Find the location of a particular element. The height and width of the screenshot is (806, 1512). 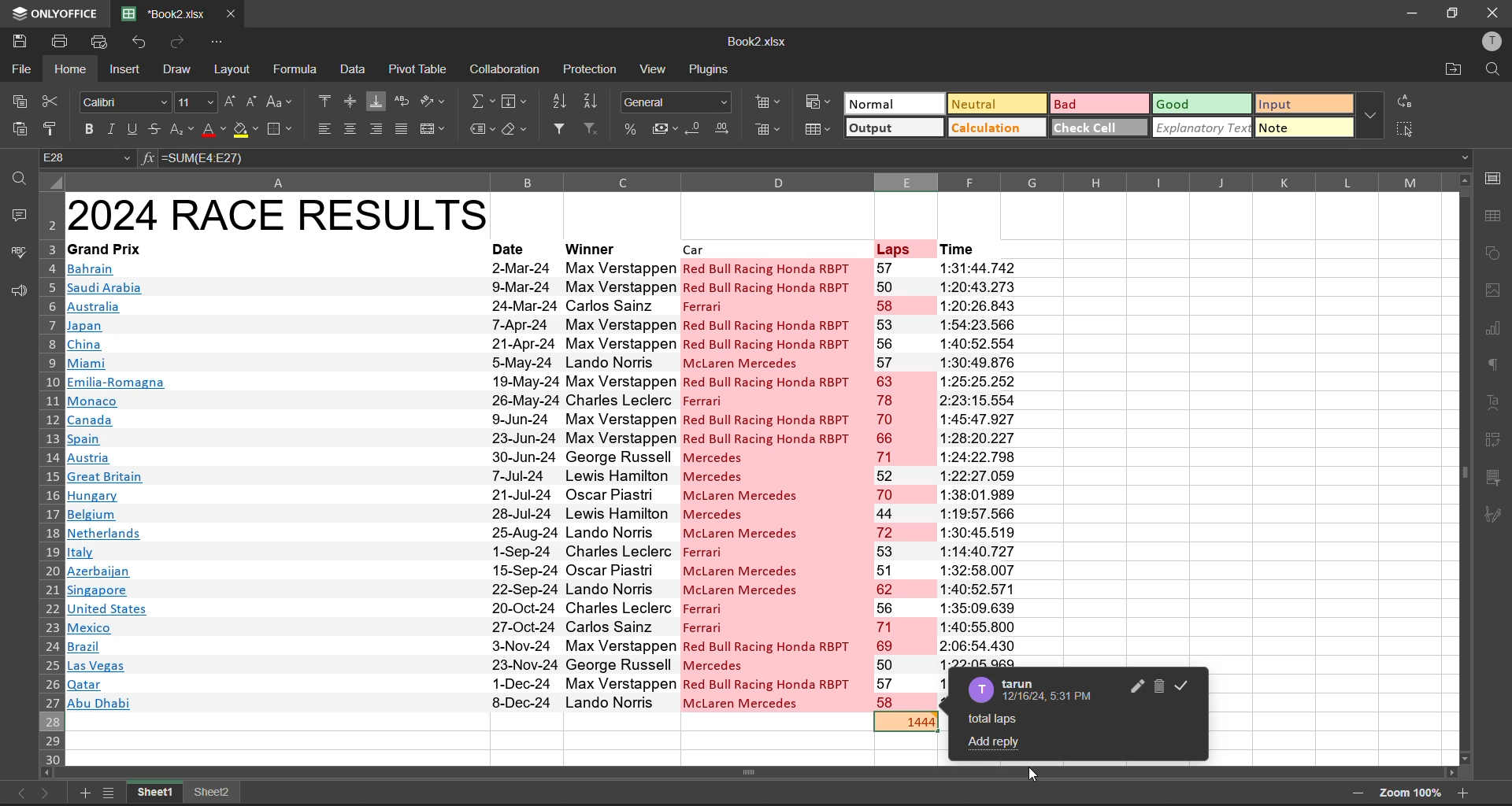

remove cells is located at coordinates (769, 131).